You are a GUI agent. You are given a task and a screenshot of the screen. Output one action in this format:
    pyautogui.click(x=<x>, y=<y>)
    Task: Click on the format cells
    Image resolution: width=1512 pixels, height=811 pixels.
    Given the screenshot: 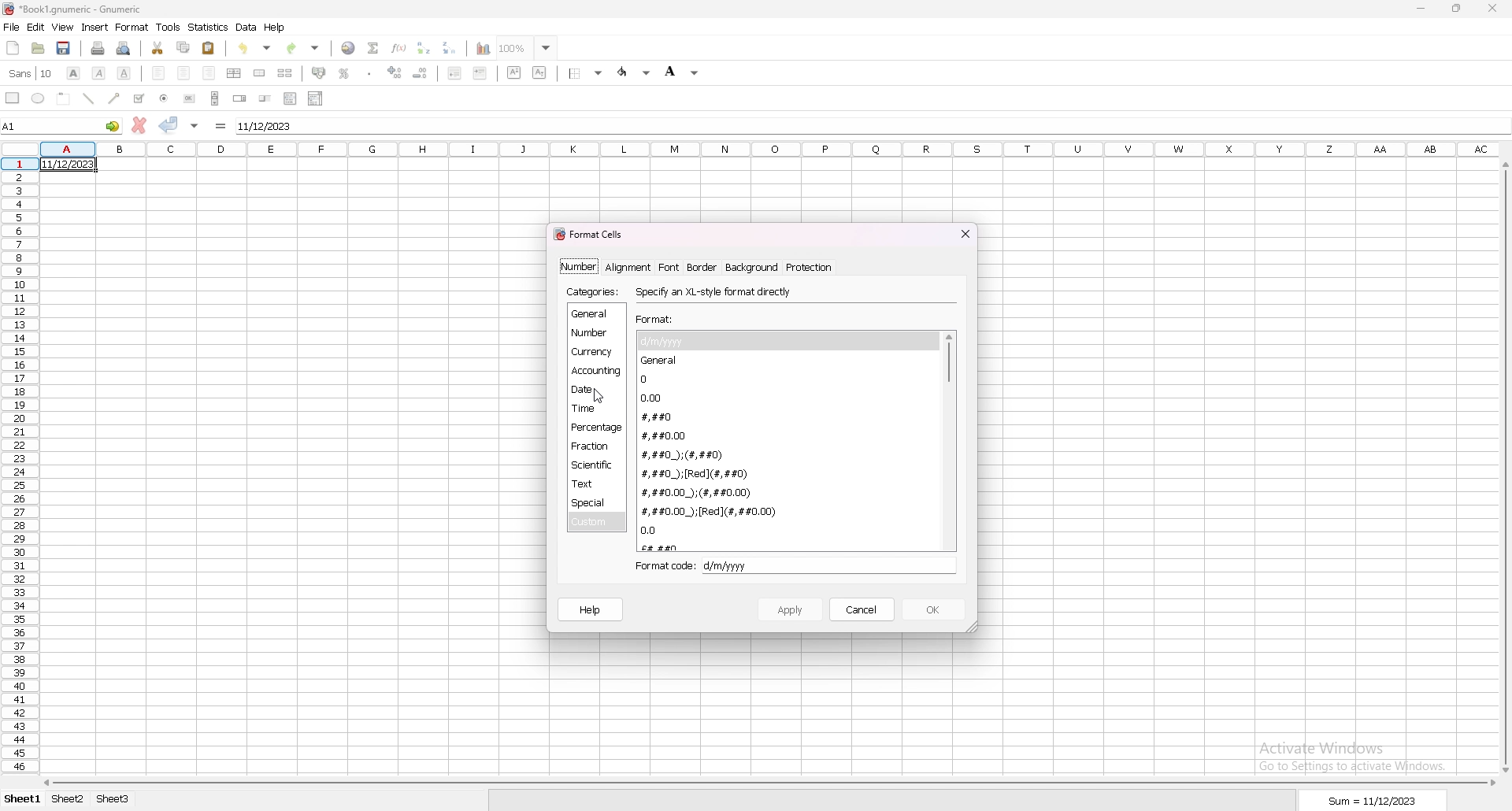 What is the action you would take?
    pyautogui.click(x=592, y=233)
    